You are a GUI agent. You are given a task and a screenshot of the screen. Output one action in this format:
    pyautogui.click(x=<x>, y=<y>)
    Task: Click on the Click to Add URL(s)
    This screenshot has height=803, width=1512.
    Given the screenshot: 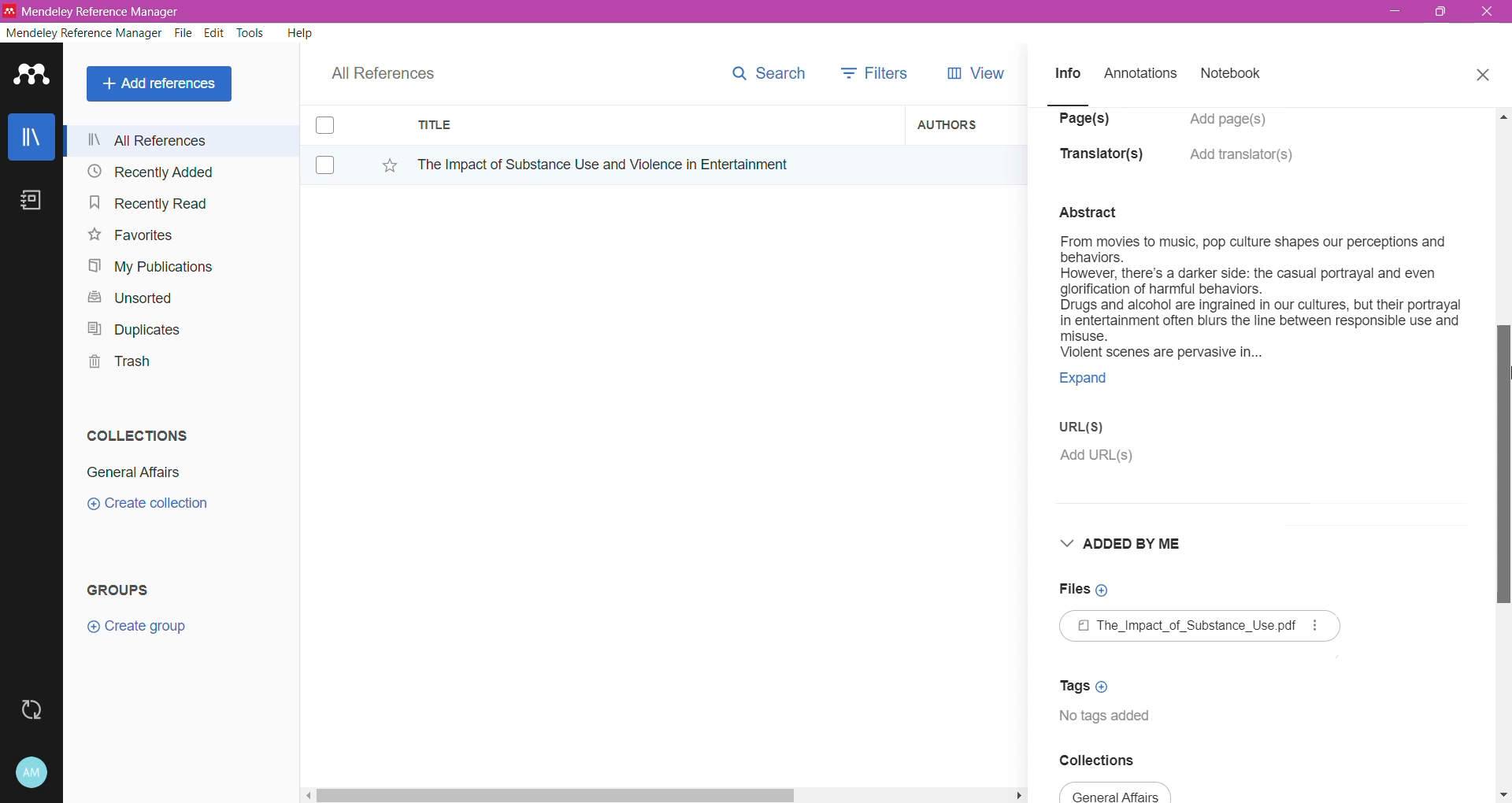 What is the action you would take?
    pyautogui.click(x=1093, y=456)
    